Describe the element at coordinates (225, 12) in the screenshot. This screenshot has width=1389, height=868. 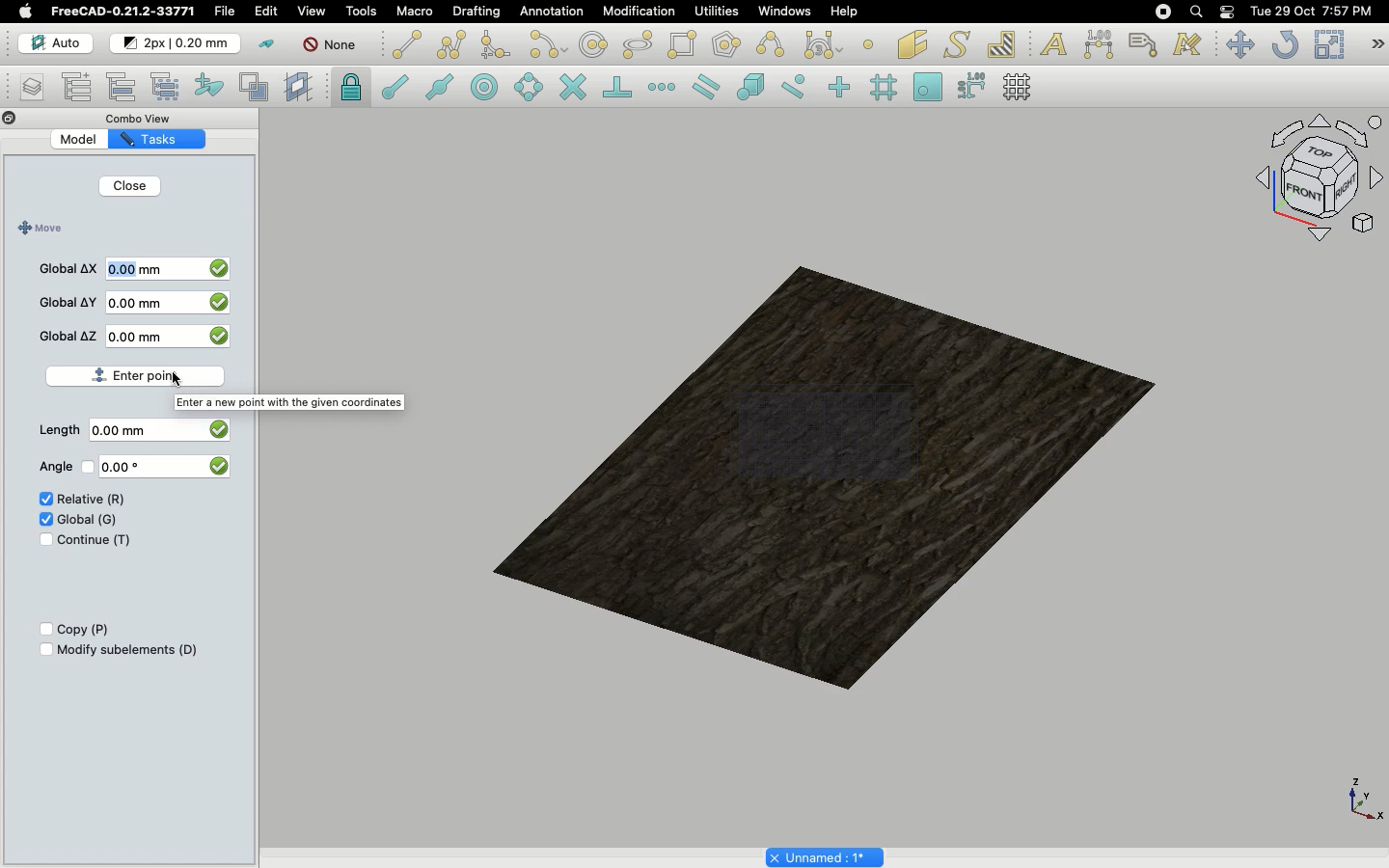
I see `File` at that location.